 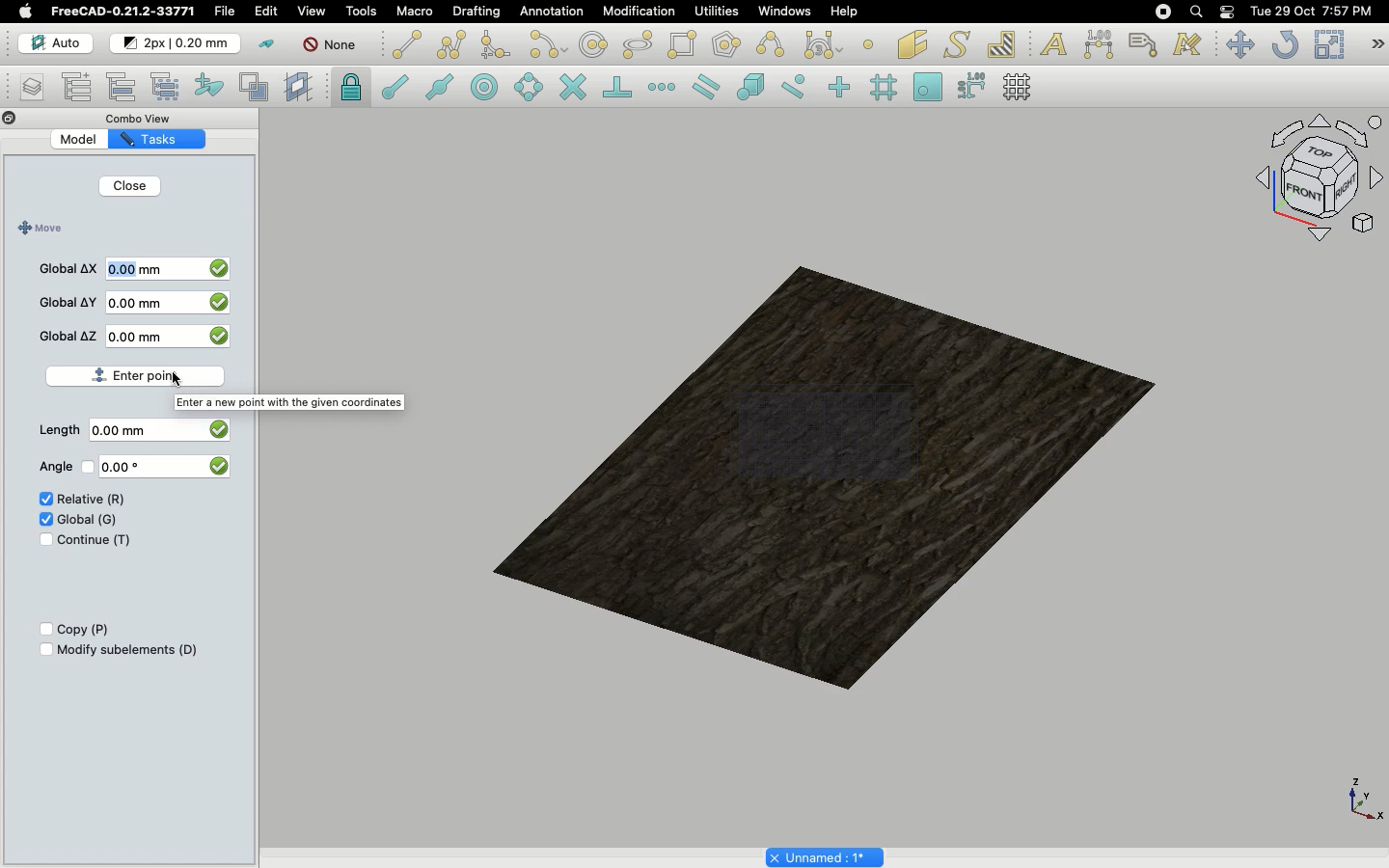 What do you see at coordinates (530, 89) in the screenshot?
I see `Snap angle` at bounding box center [530, 89].